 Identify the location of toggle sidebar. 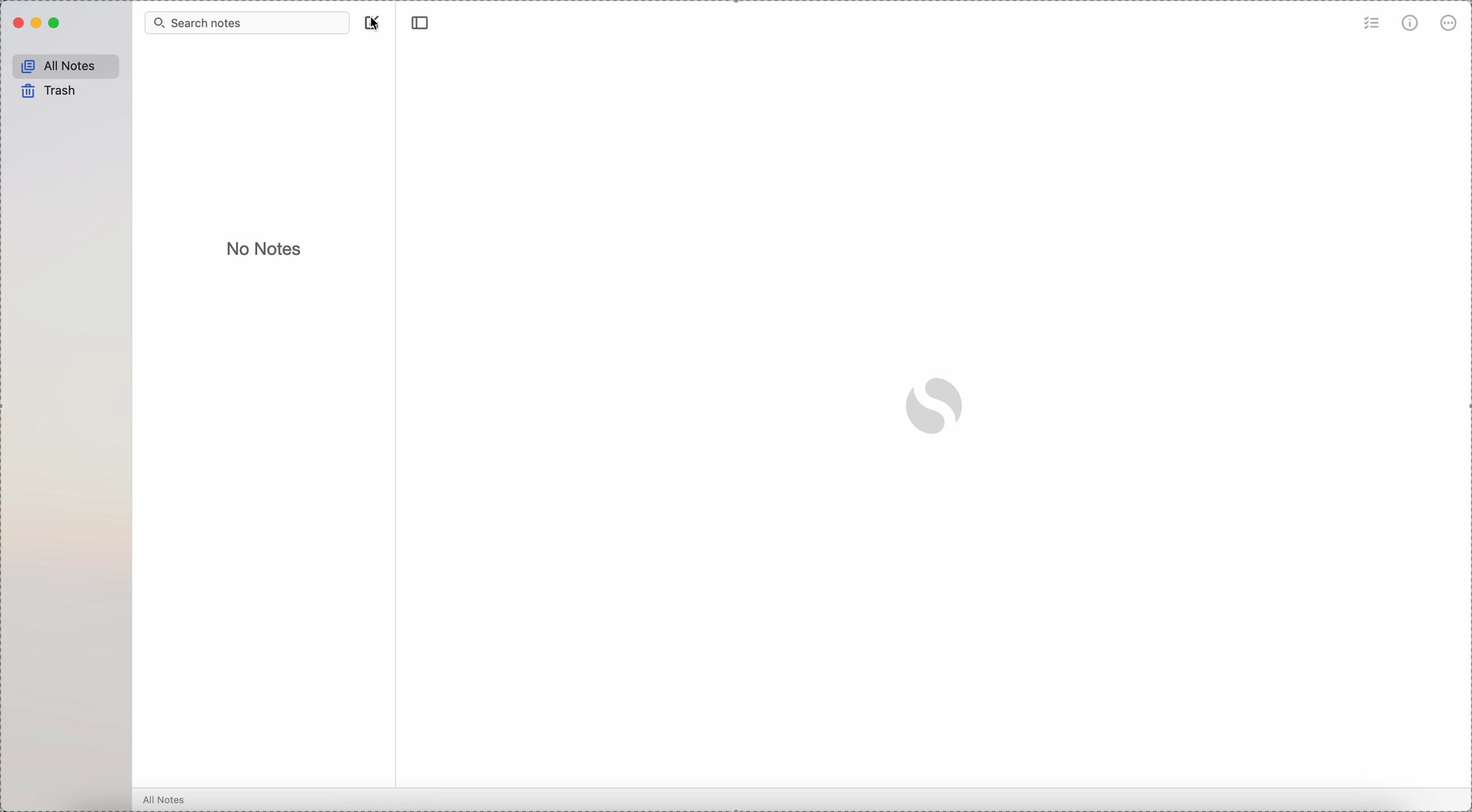
(422, 23).